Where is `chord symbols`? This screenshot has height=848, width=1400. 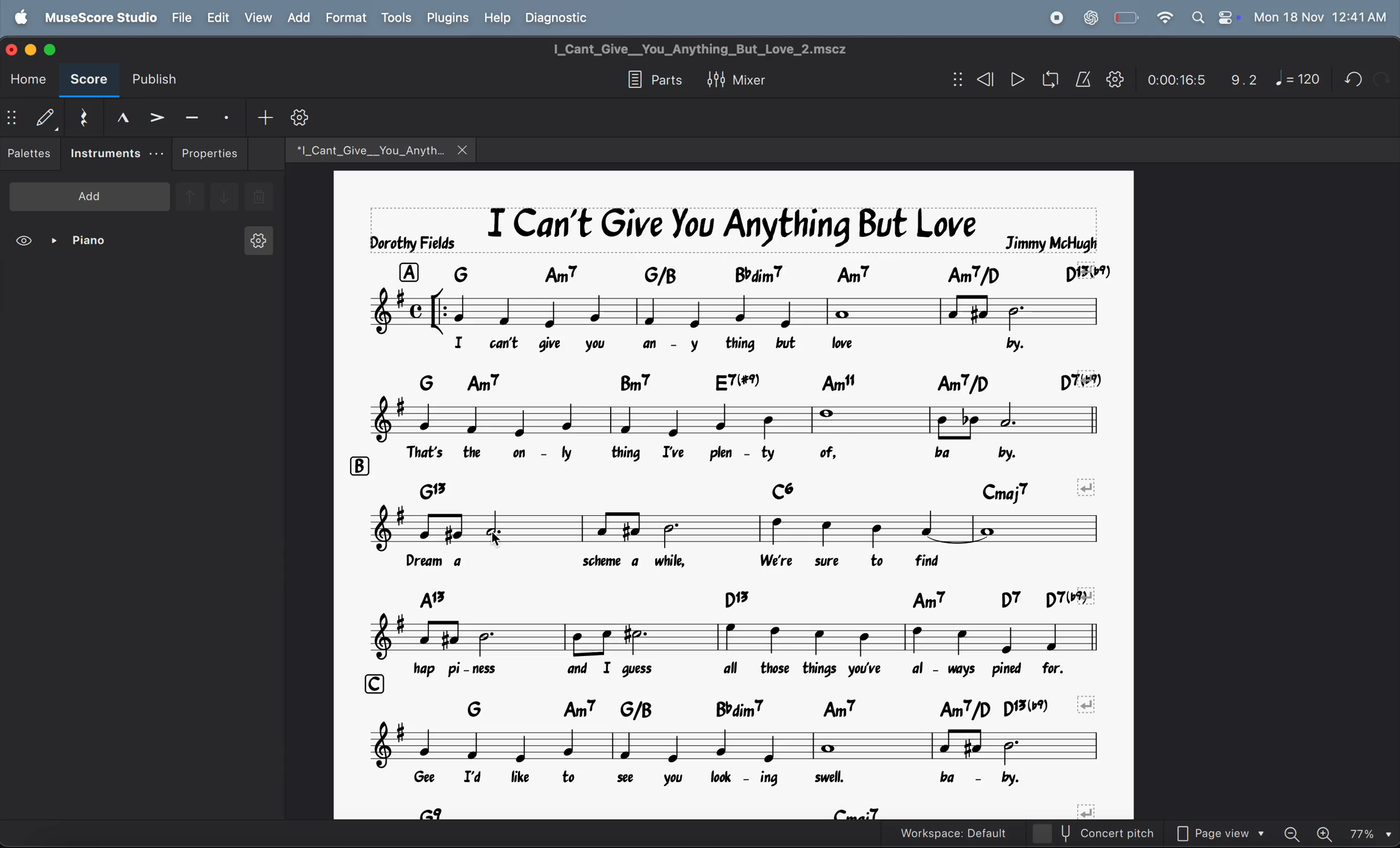
chord symbols is located at coordinates (755, 490).